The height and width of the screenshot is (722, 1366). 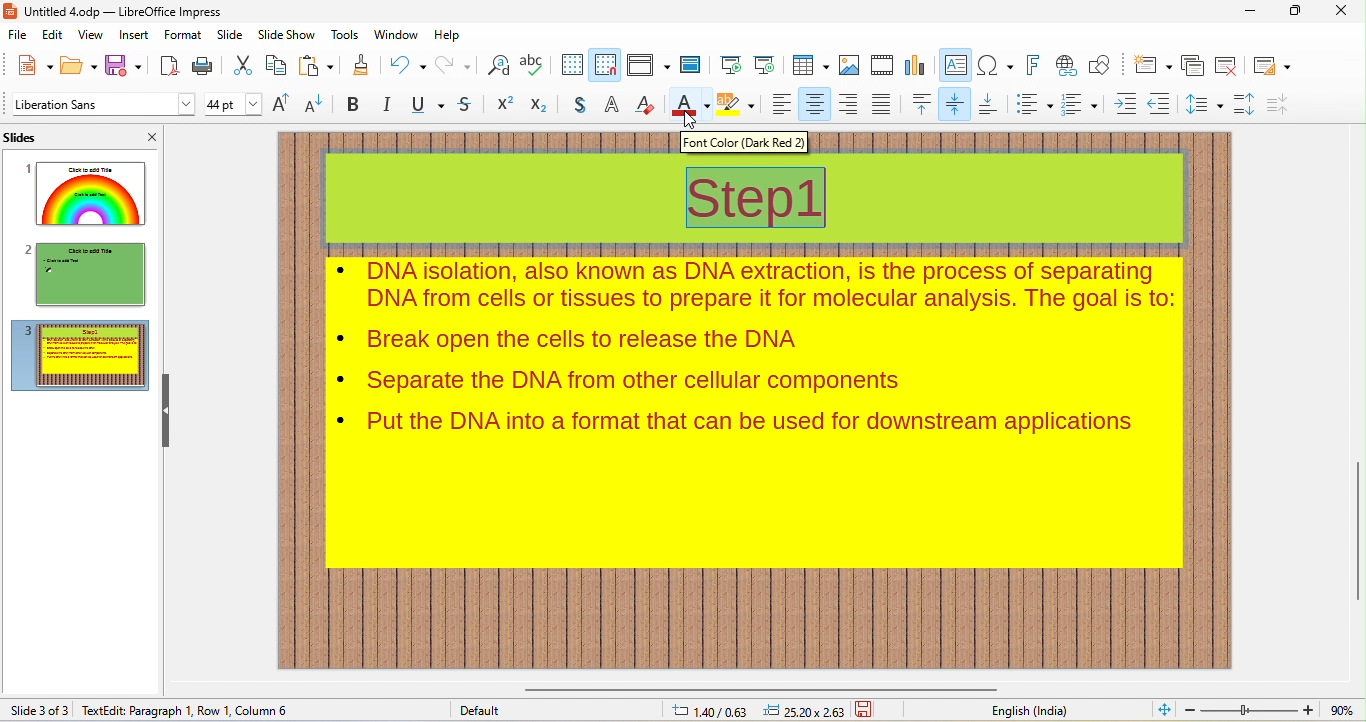 I want to click on minimize, so click(x=1254, y=14).